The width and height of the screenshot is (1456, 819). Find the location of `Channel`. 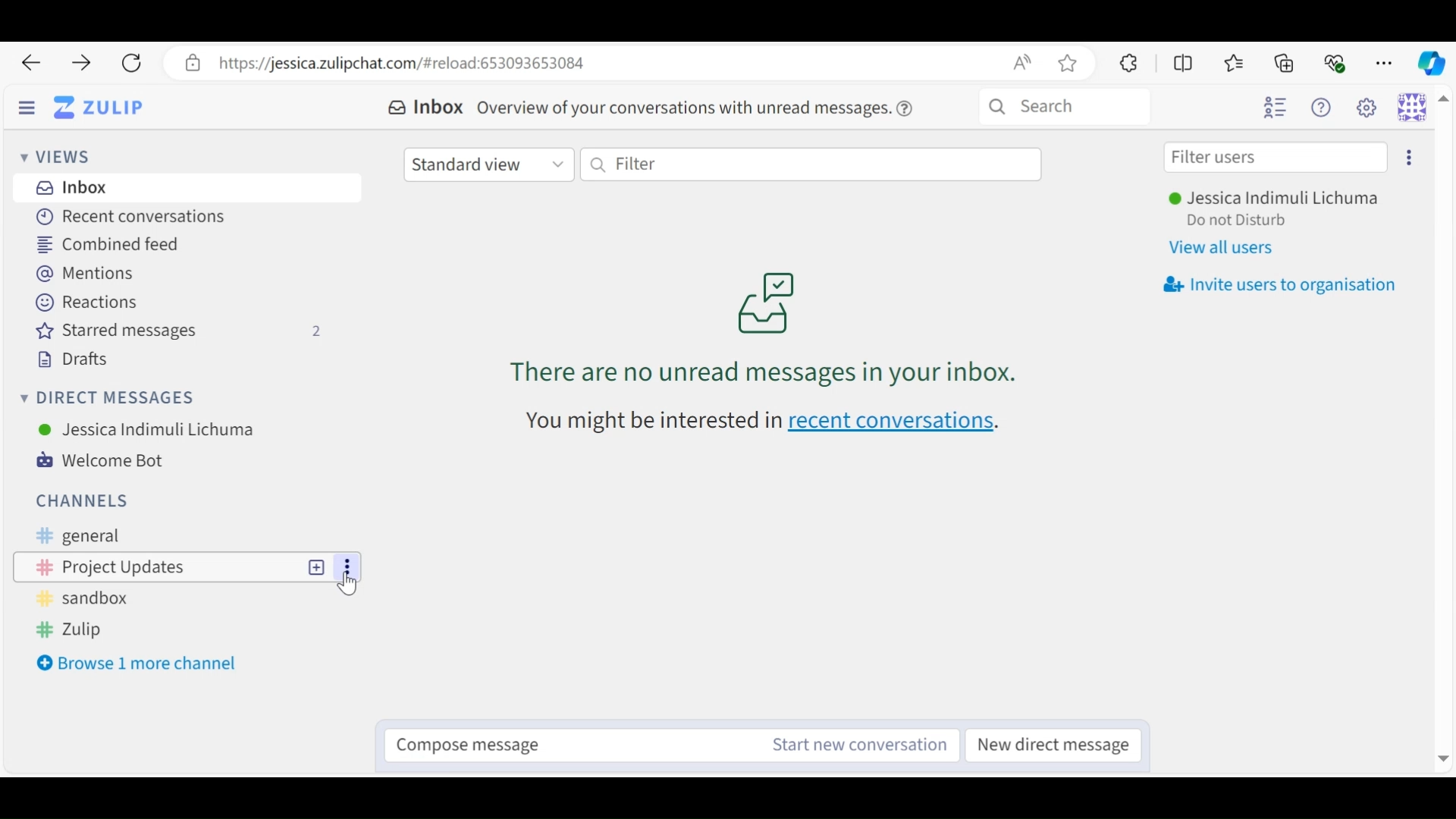

Channel is located at coordinates (192, 535).